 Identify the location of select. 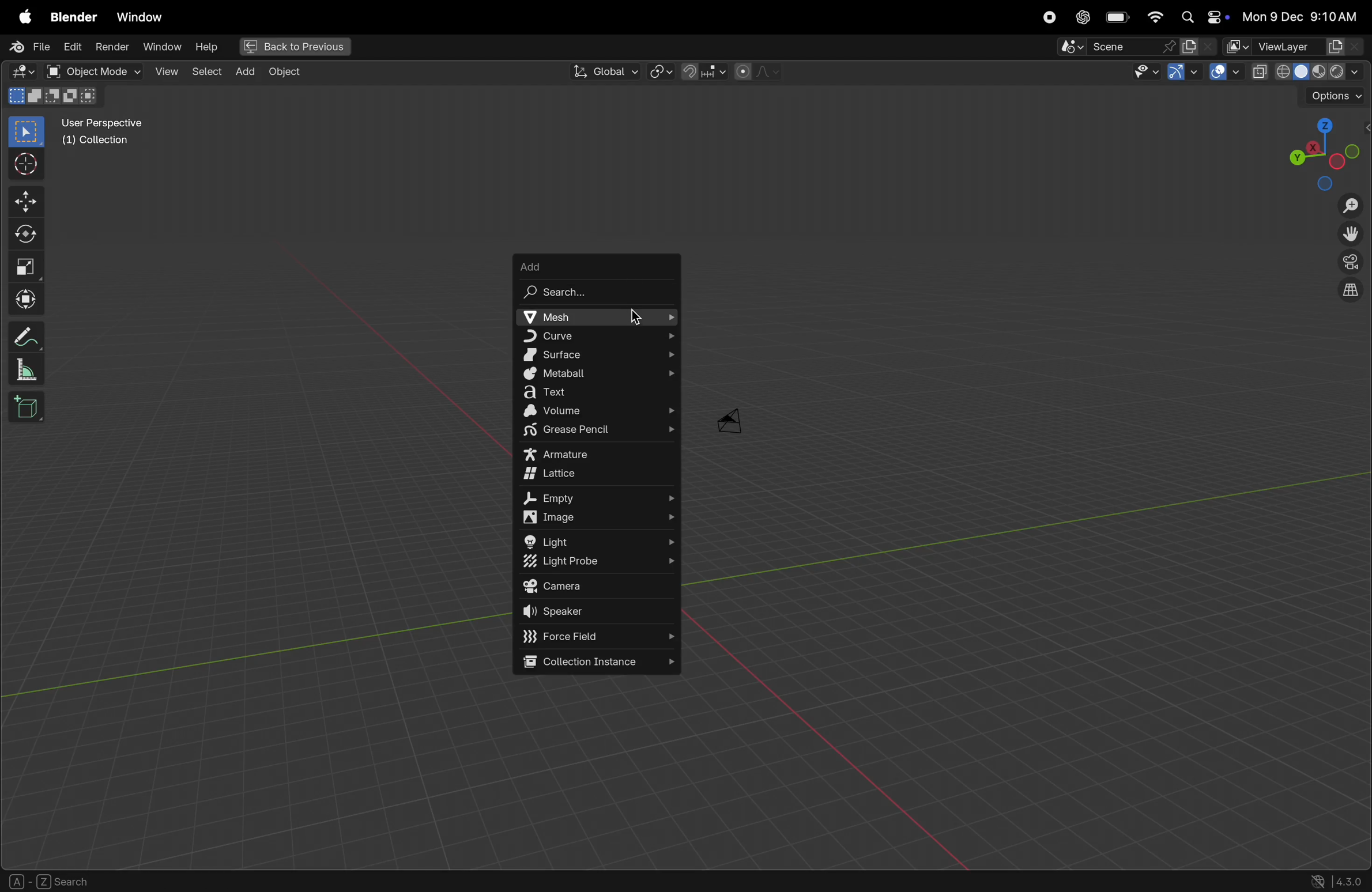
(27, 132).